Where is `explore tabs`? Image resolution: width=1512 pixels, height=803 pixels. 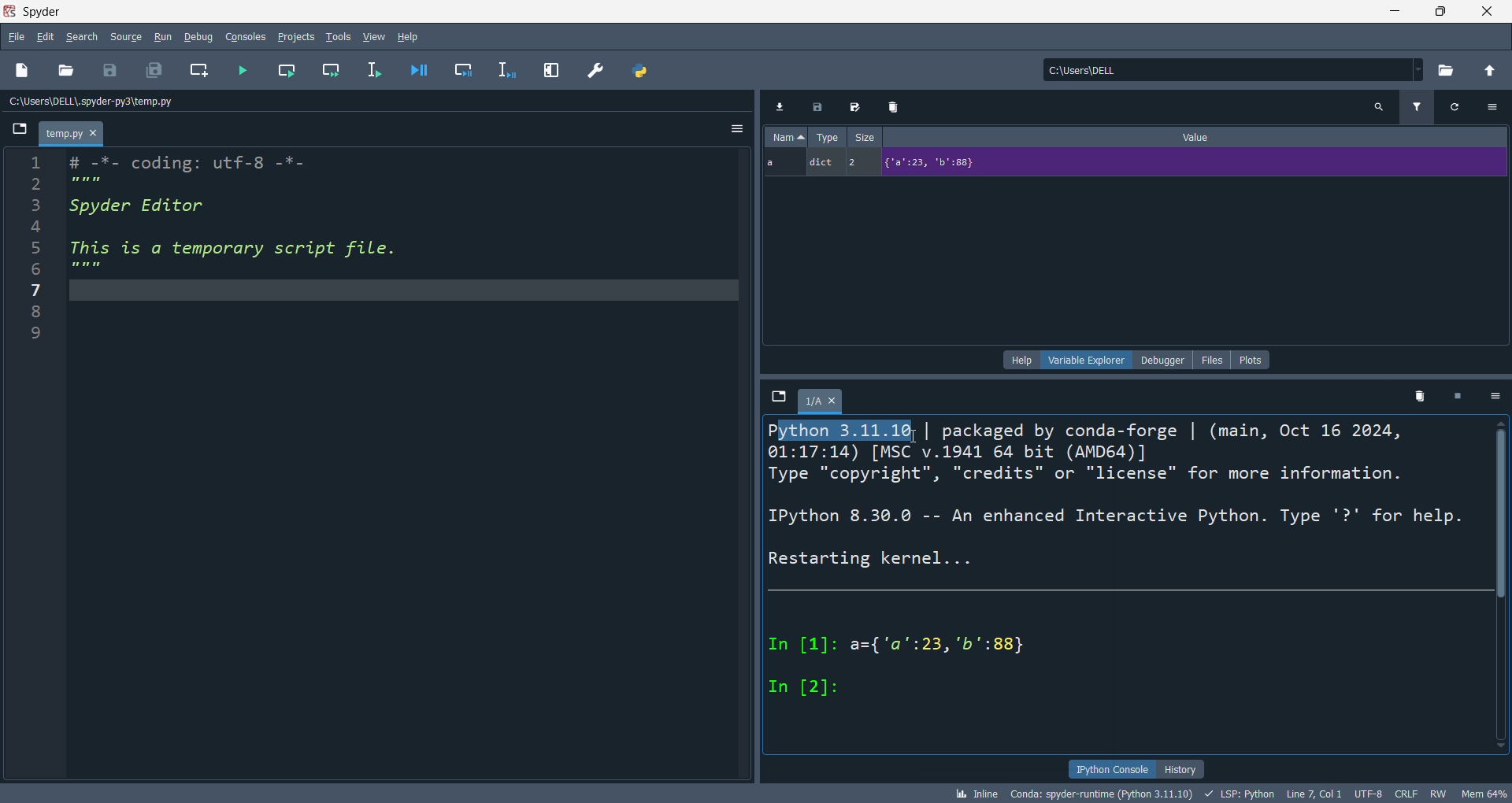 explore tabs is located at coordinates (779, 398).